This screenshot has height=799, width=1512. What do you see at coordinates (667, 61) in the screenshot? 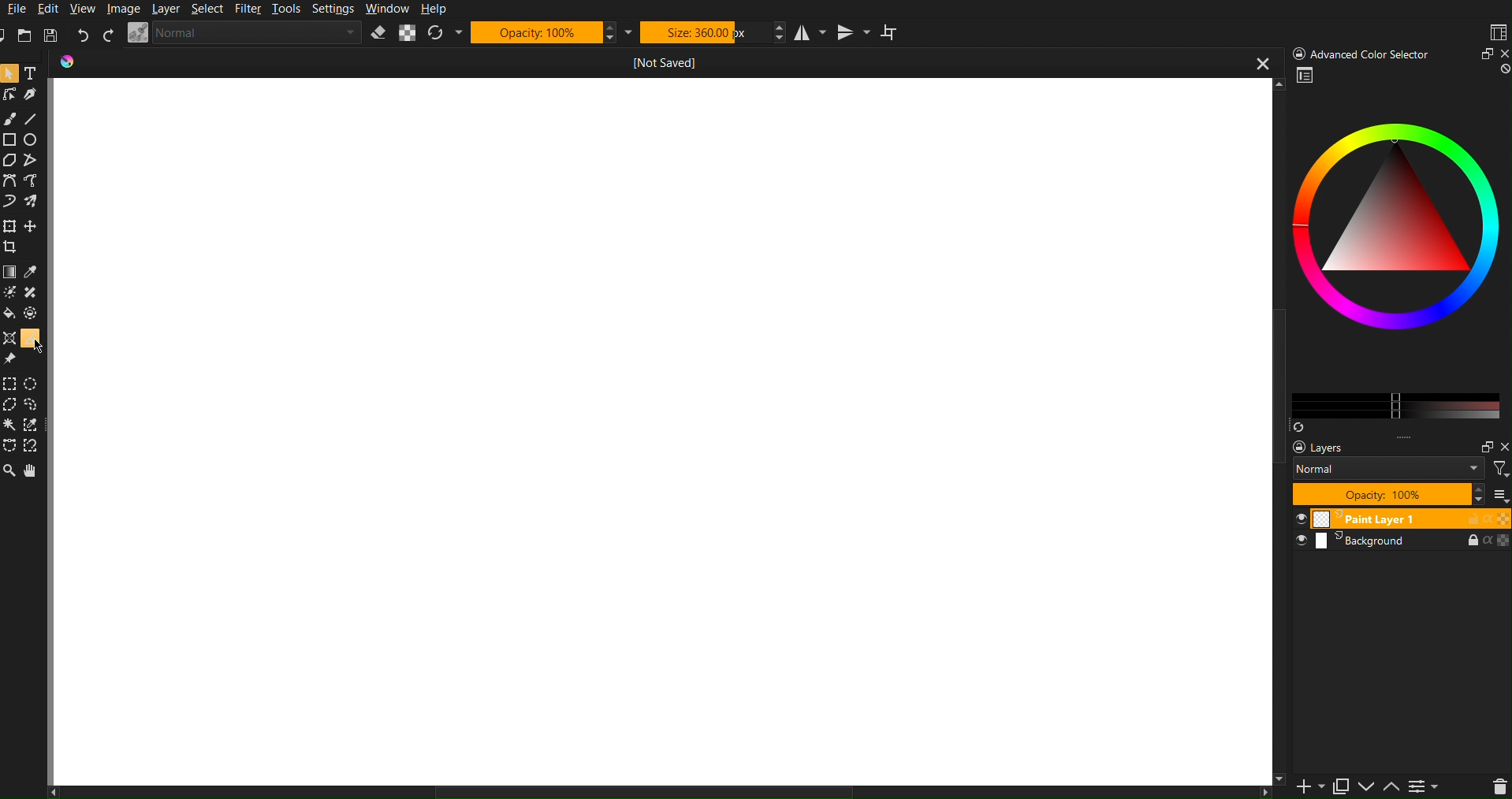
I see `Current Document` at bounding box center [667, 61].